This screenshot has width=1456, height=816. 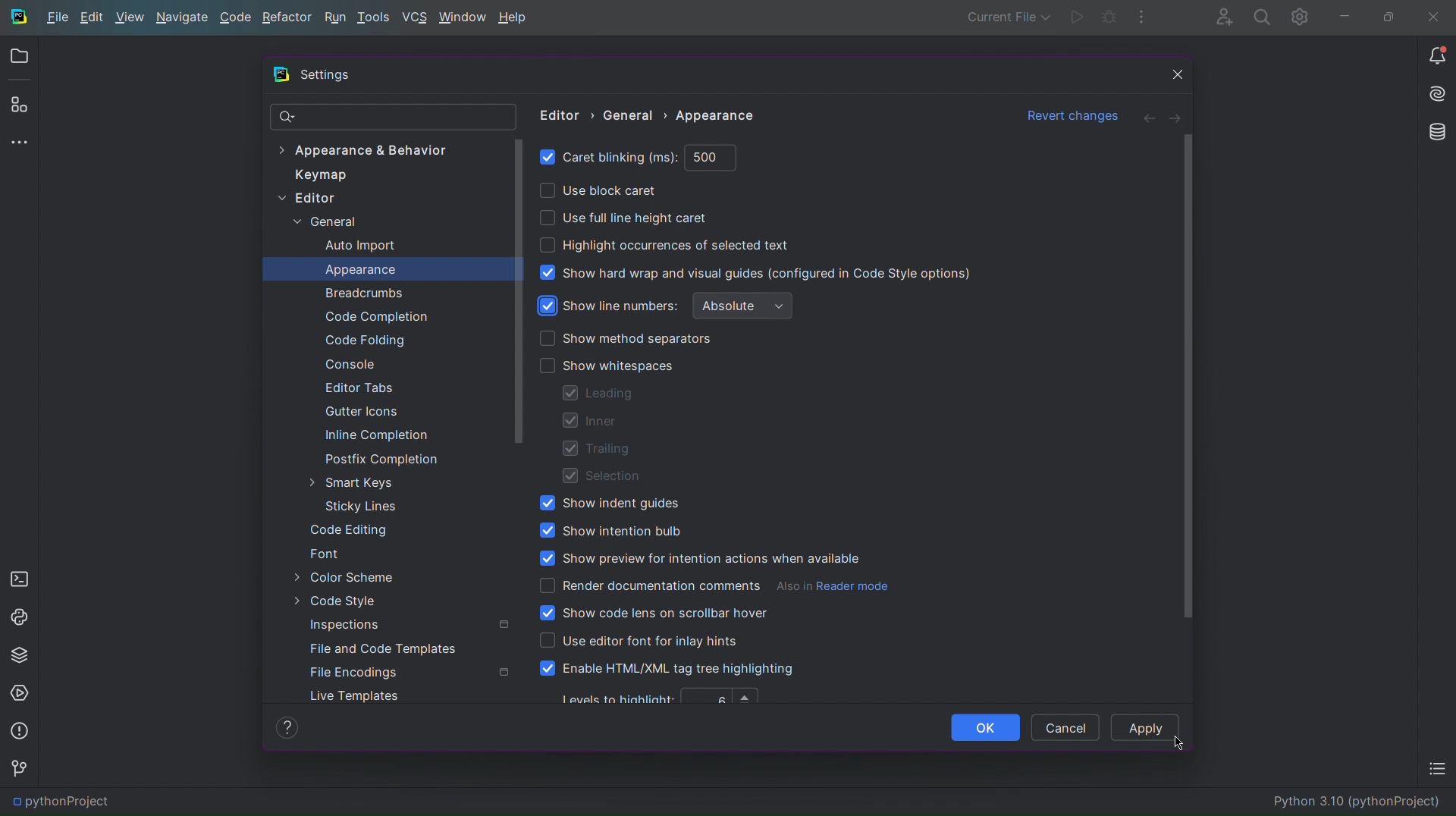 What do you see at coordinates (462, 17) in the screenshot?
I see `Window` at bounding box center [462, 17].